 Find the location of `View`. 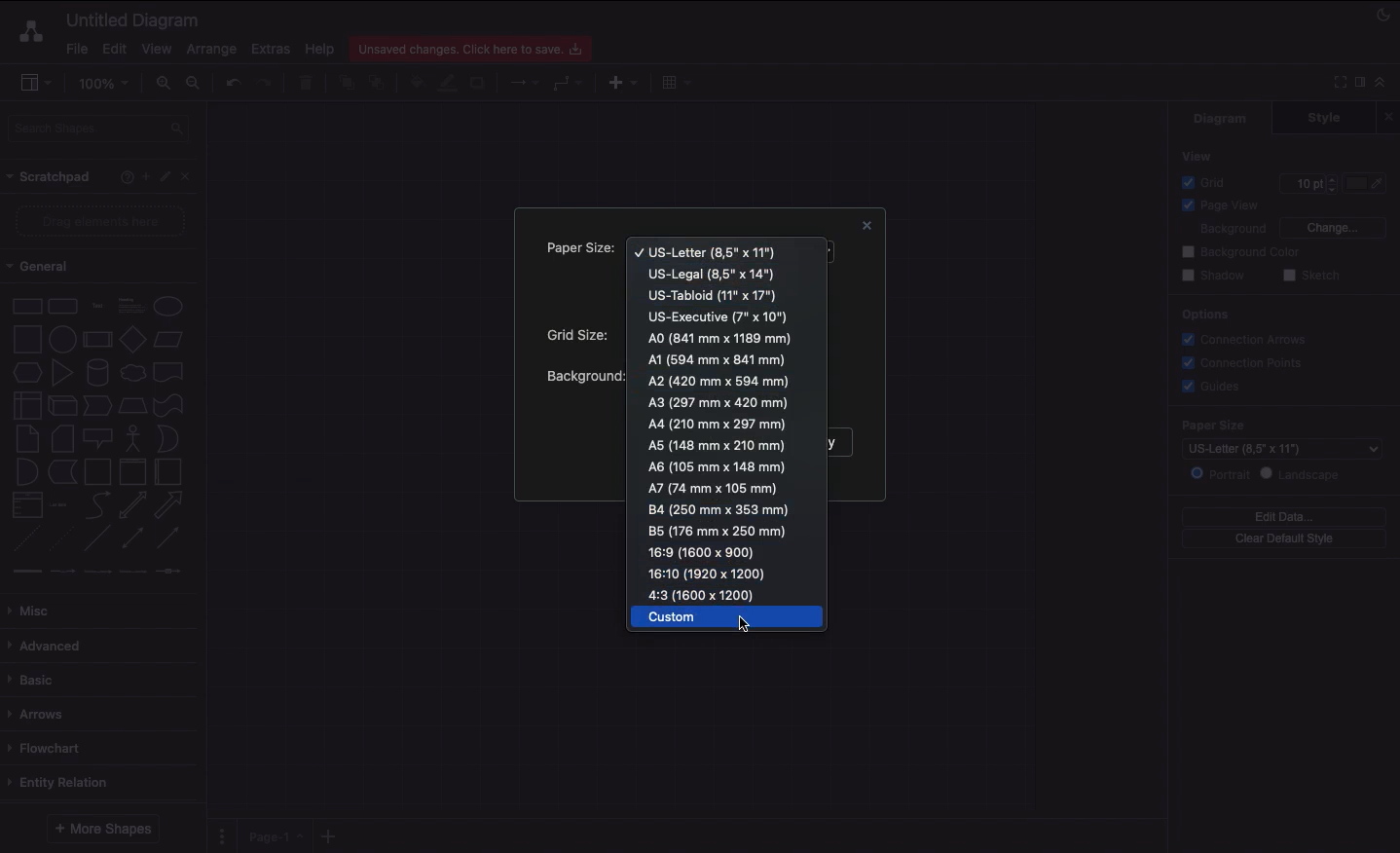

View is located at coordinates (1198, 155).